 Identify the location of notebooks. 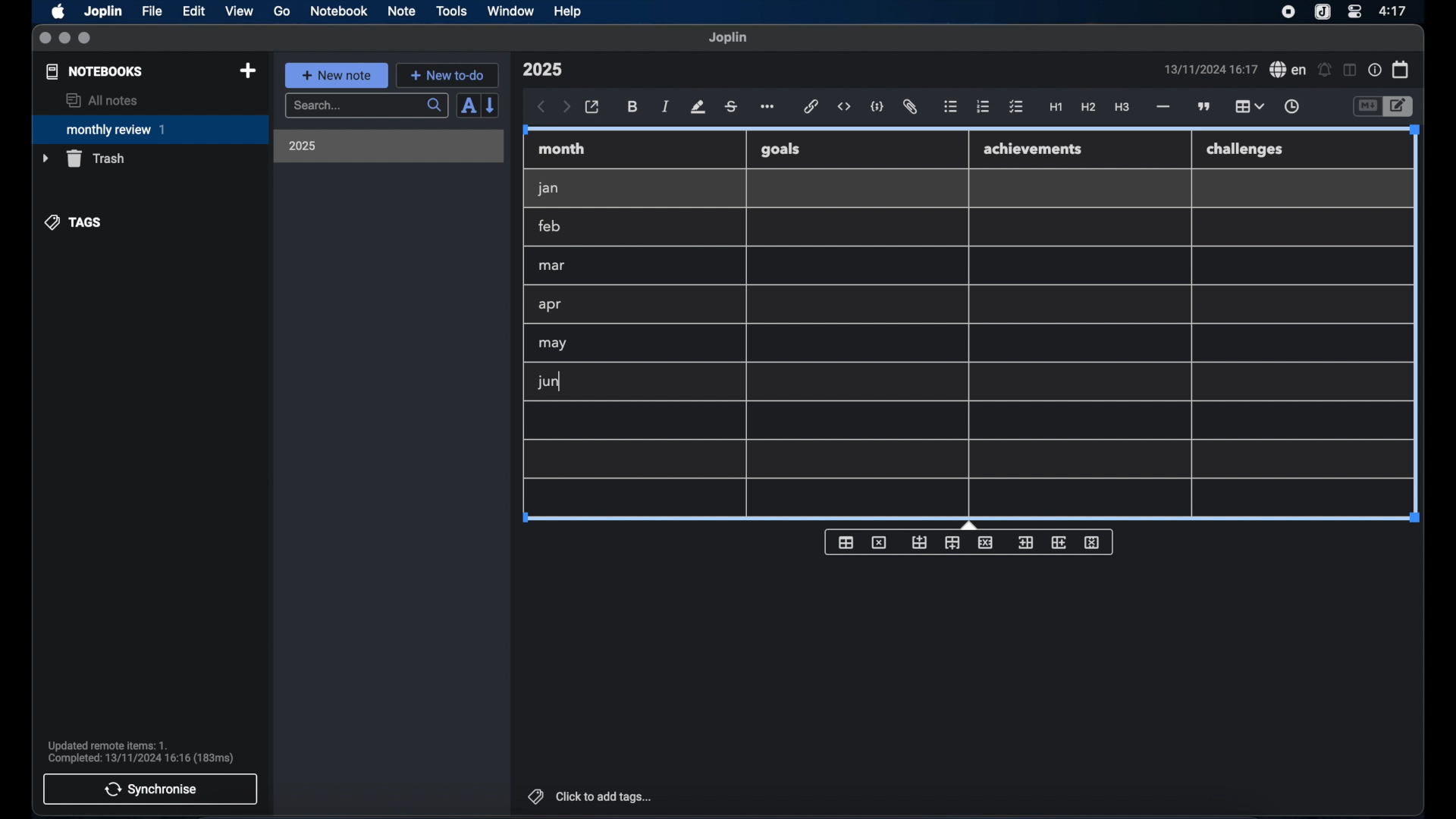
(95, 71).